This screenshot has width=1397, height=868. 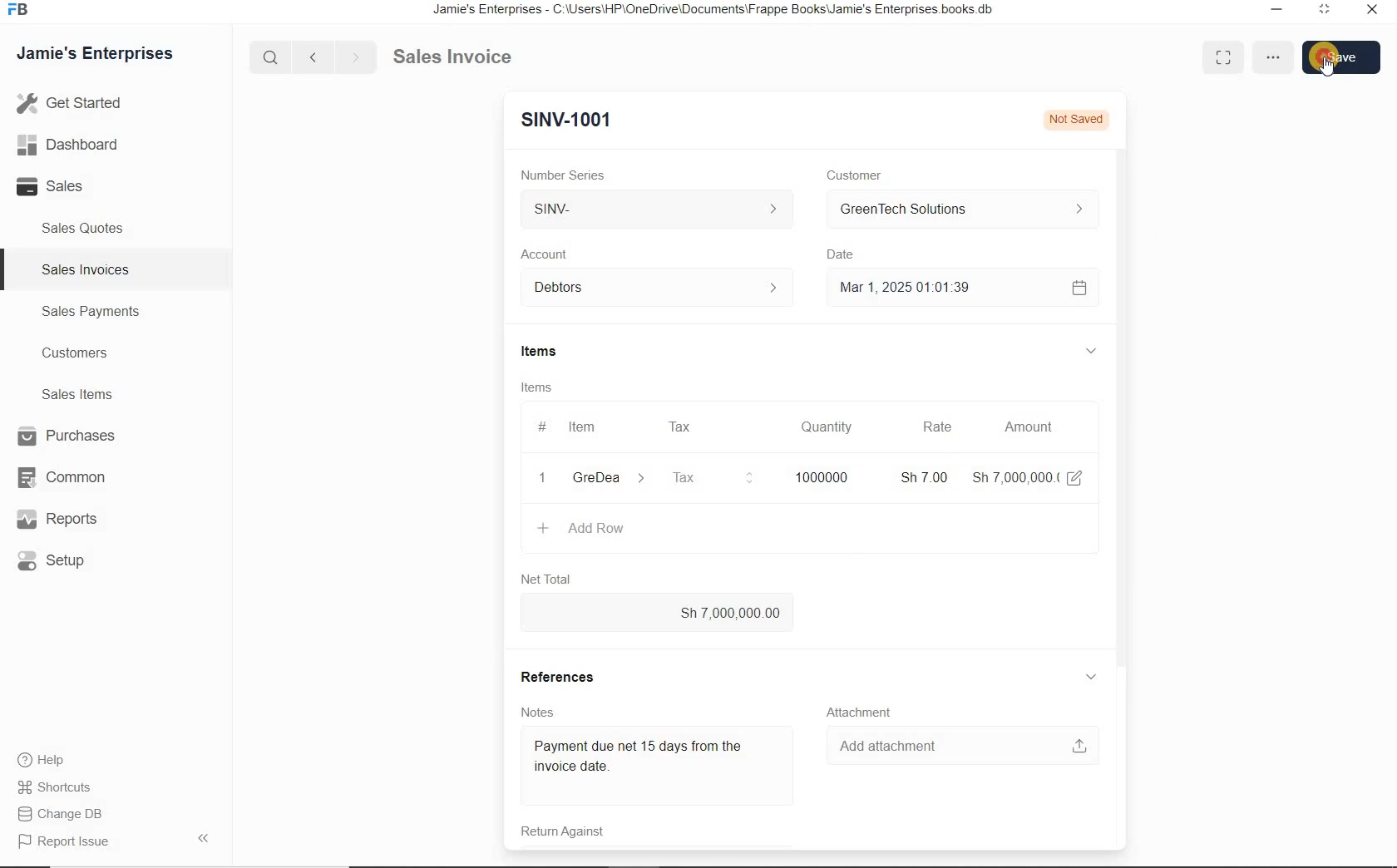 I want to click on vertical scrollbar, so click(x=1119, y=387).